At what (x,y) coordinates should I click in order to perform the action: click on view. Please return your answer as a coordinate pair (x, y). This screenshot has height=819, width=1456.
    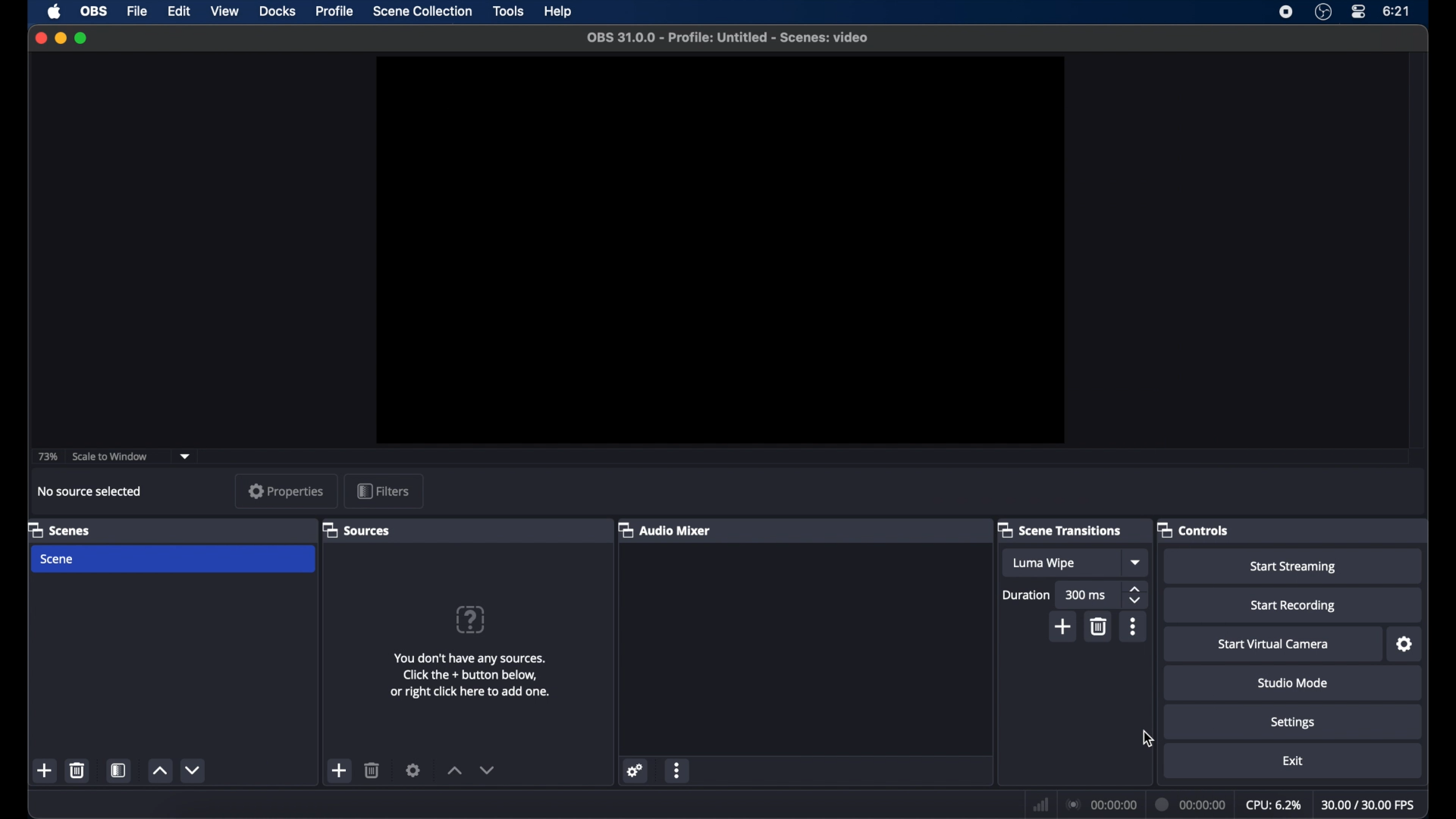
    Looking at the image, I should click on (224, 12).